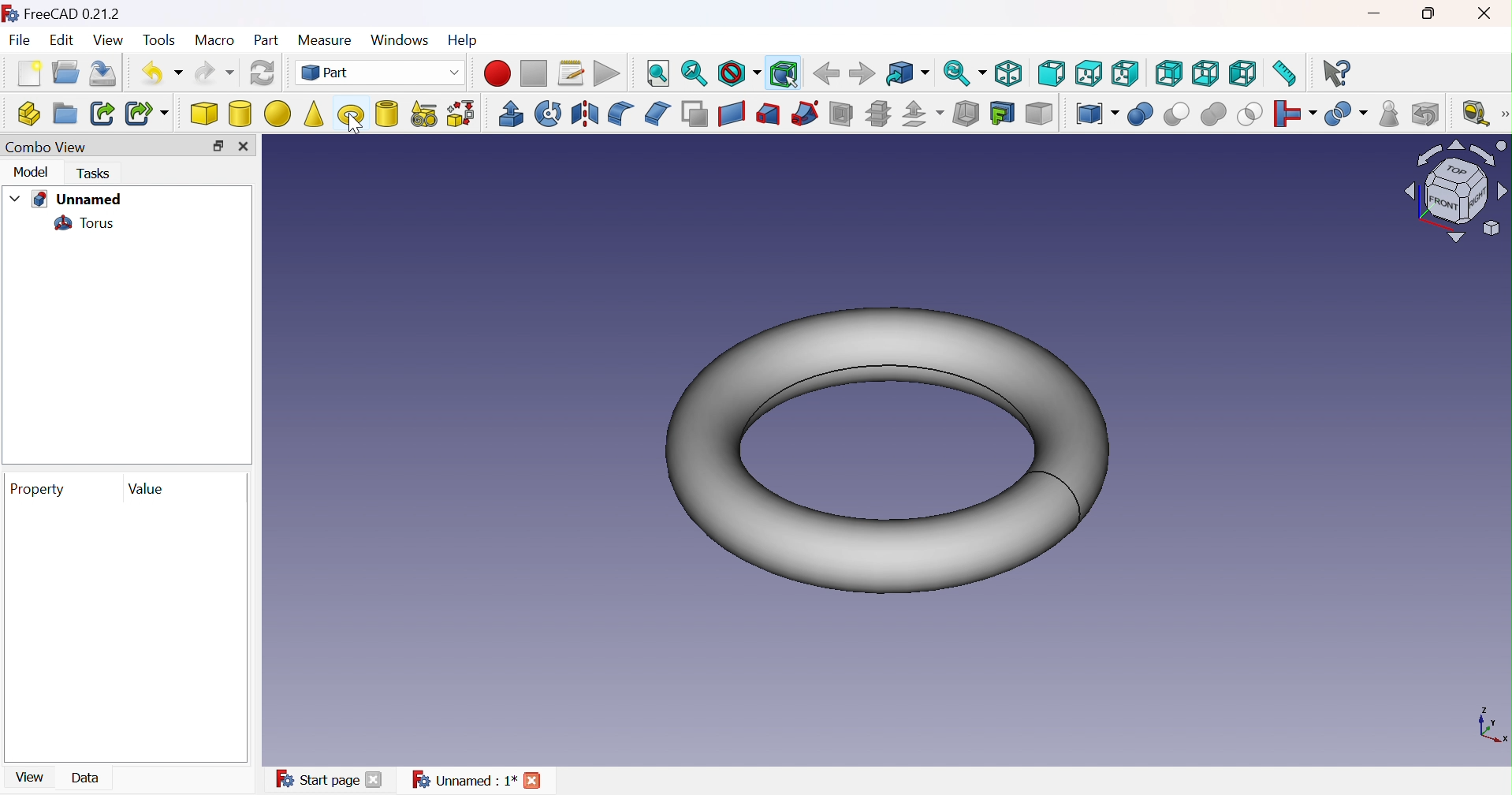 Image resolution: width=1512 pixels, height=795 pixels. What do you see at coordinates (28, 113) in the screenshot?
I see `Create part` at bounding box center [28, 113].